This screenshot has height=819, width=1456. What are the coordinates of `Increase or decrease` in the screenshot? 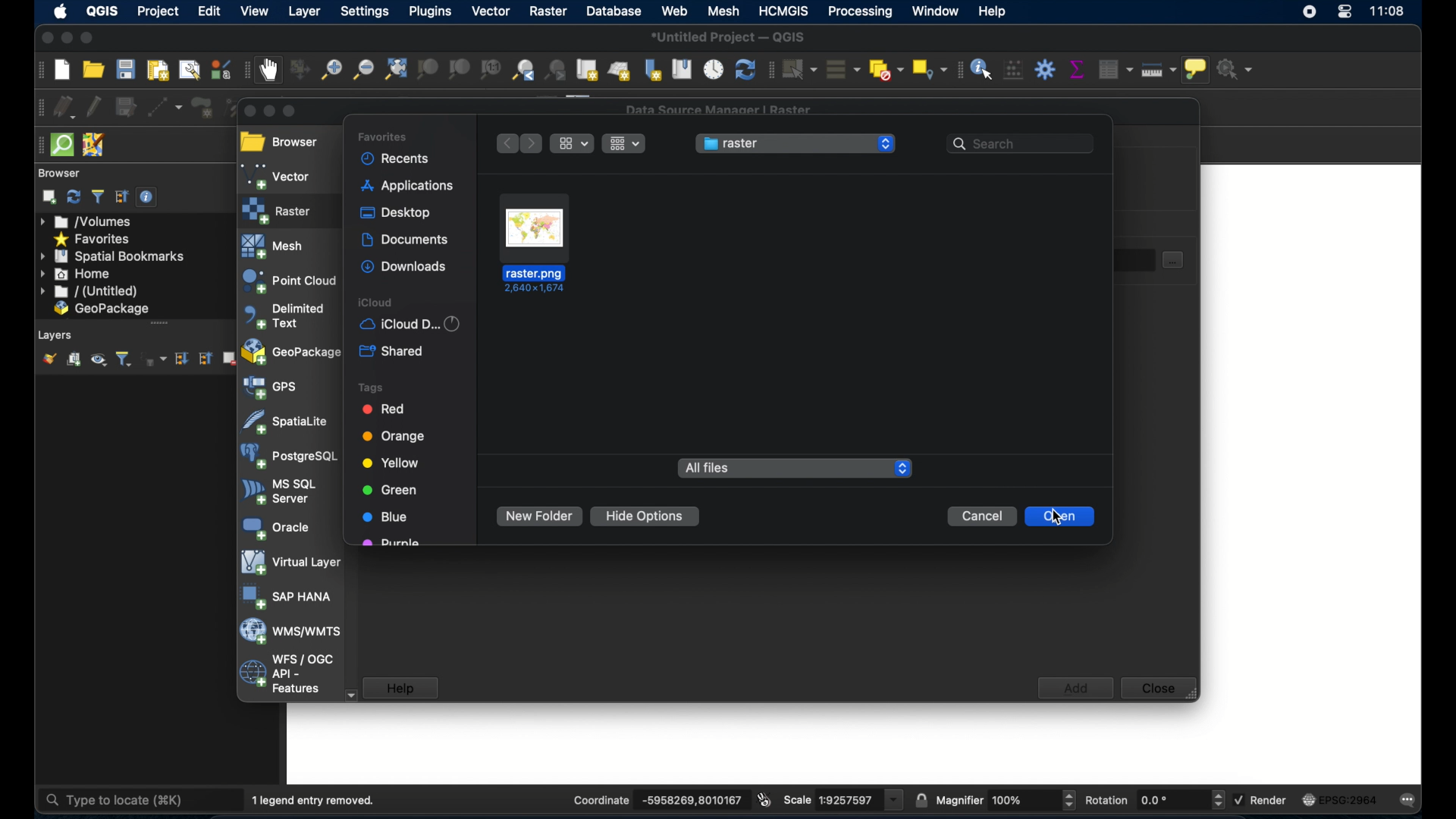 It's located at (1068, 800).